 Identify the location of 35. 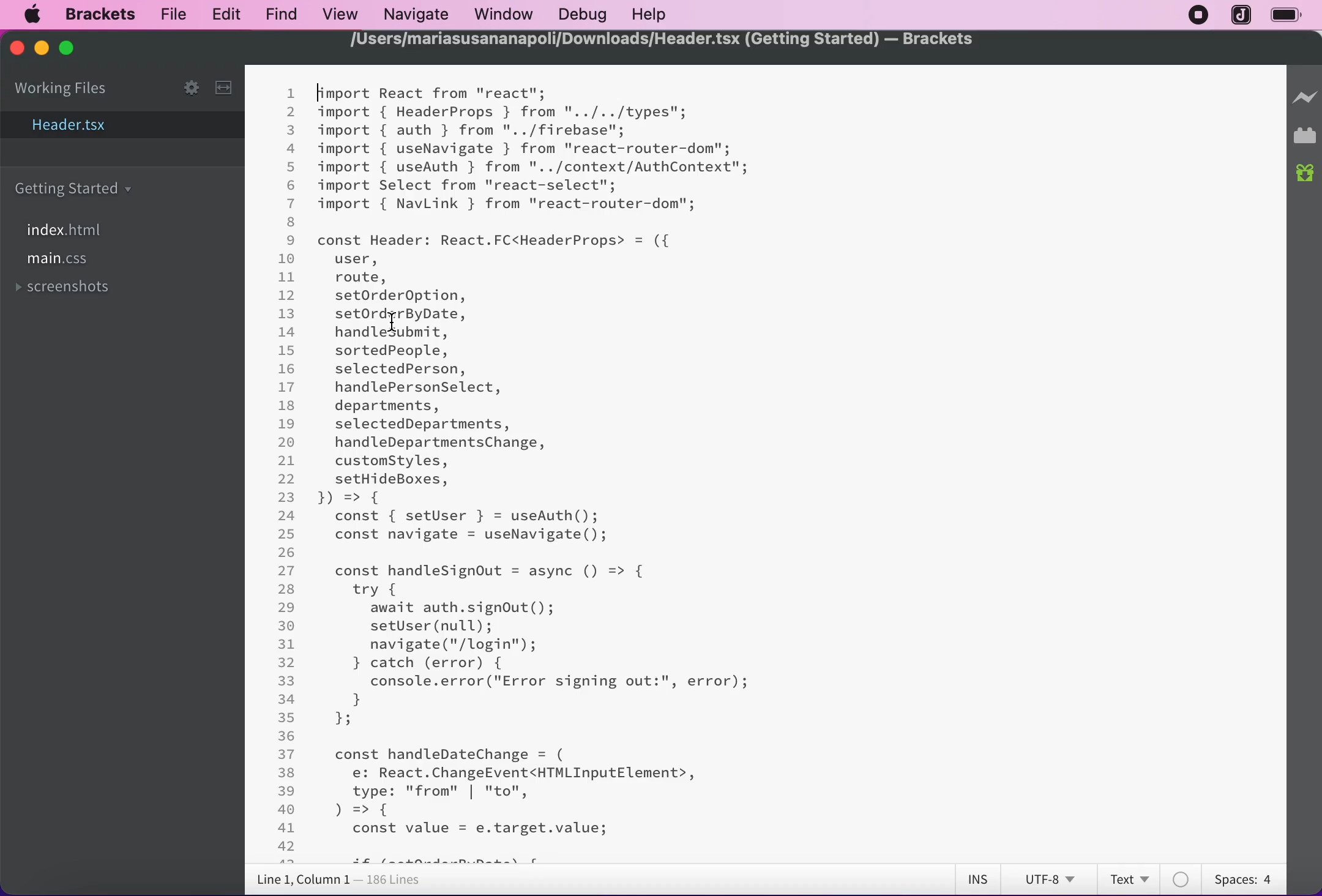
(286, 717).